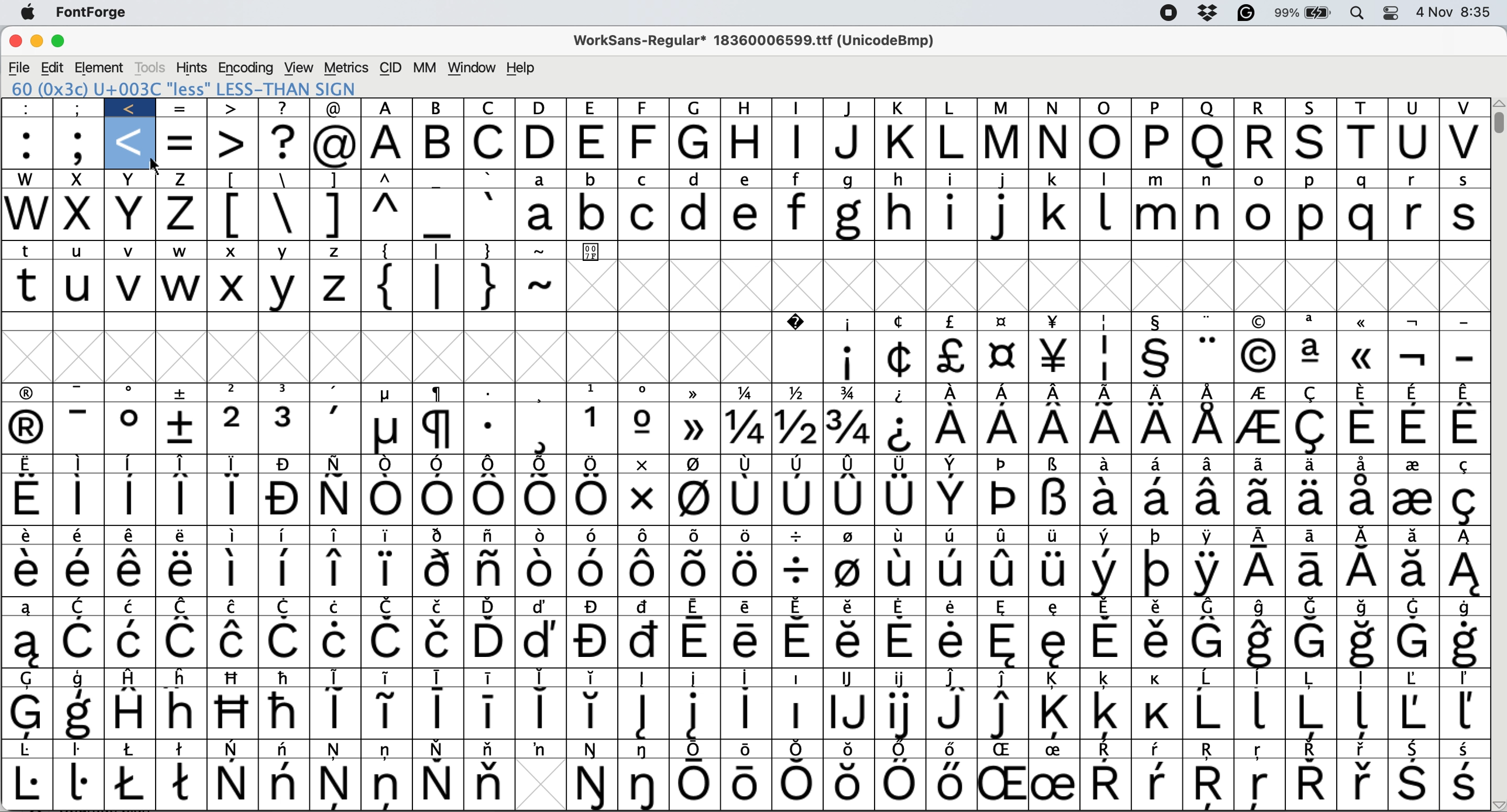  Describe the element at coordinates (1004, 393) in the screenshot. I see `Symbol` at that location.